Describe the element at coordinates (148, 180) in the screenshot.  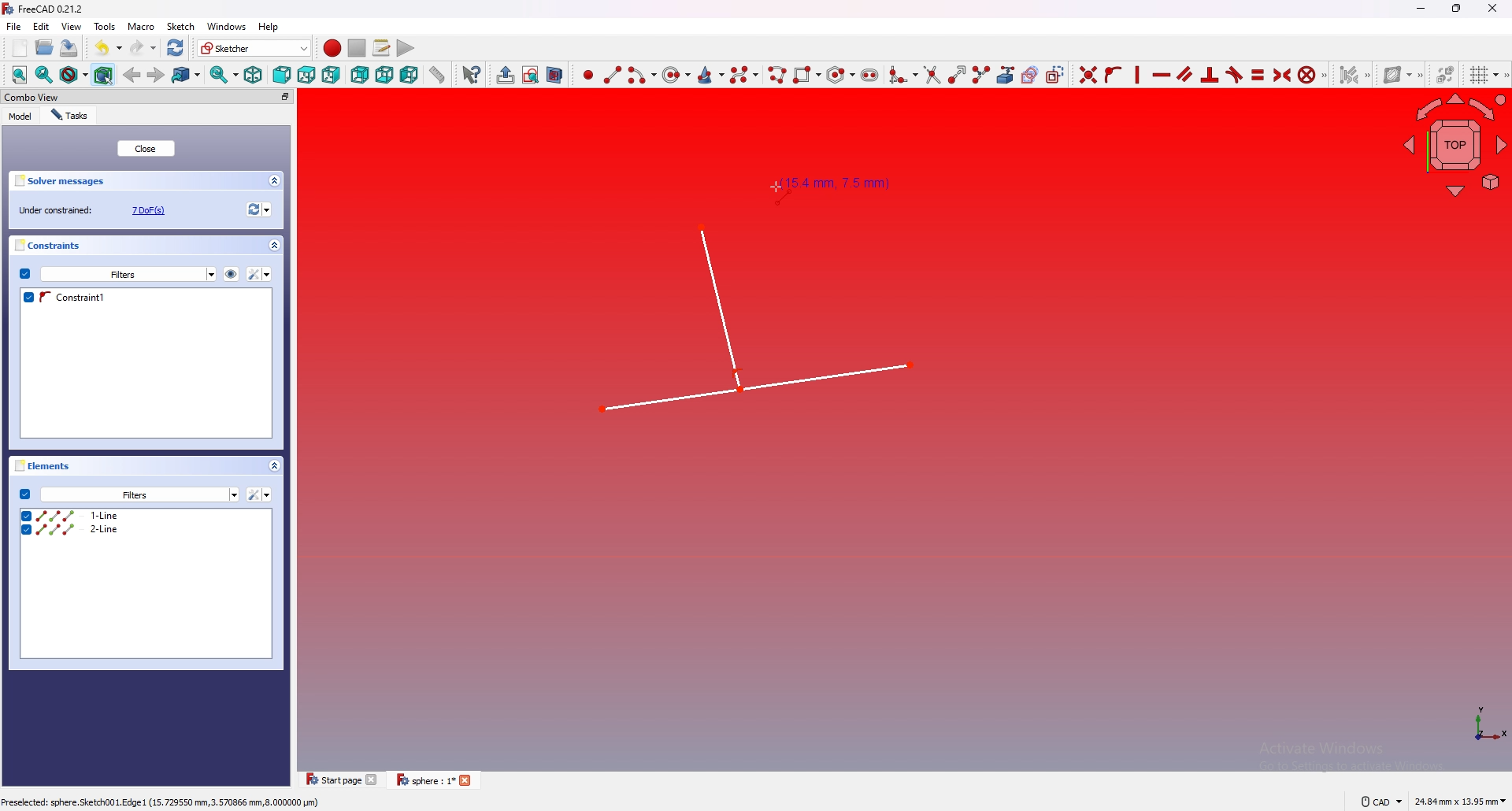
I see `Solver messages` at that location.